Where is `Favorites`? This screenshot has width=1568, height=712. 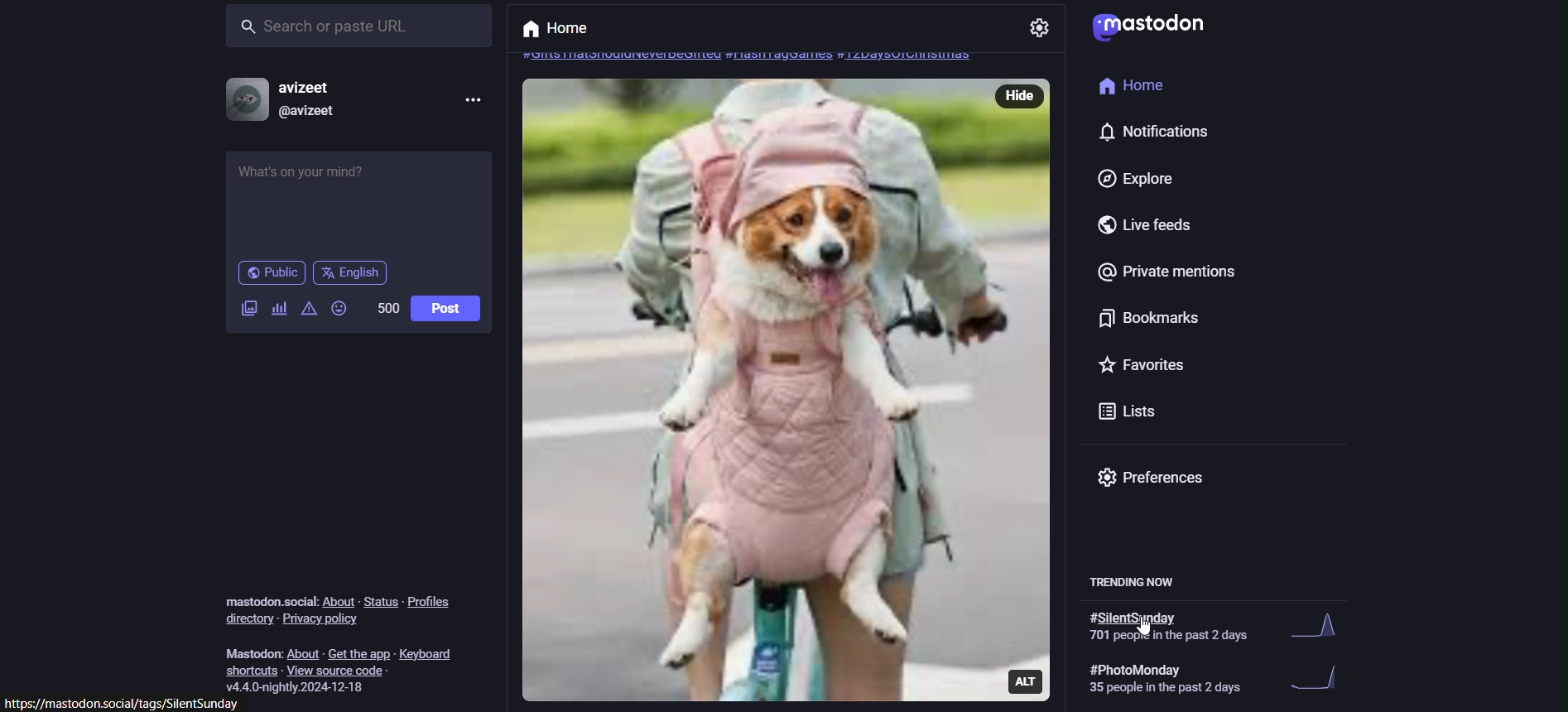 Favorites is located at coordinates (1145, 369).